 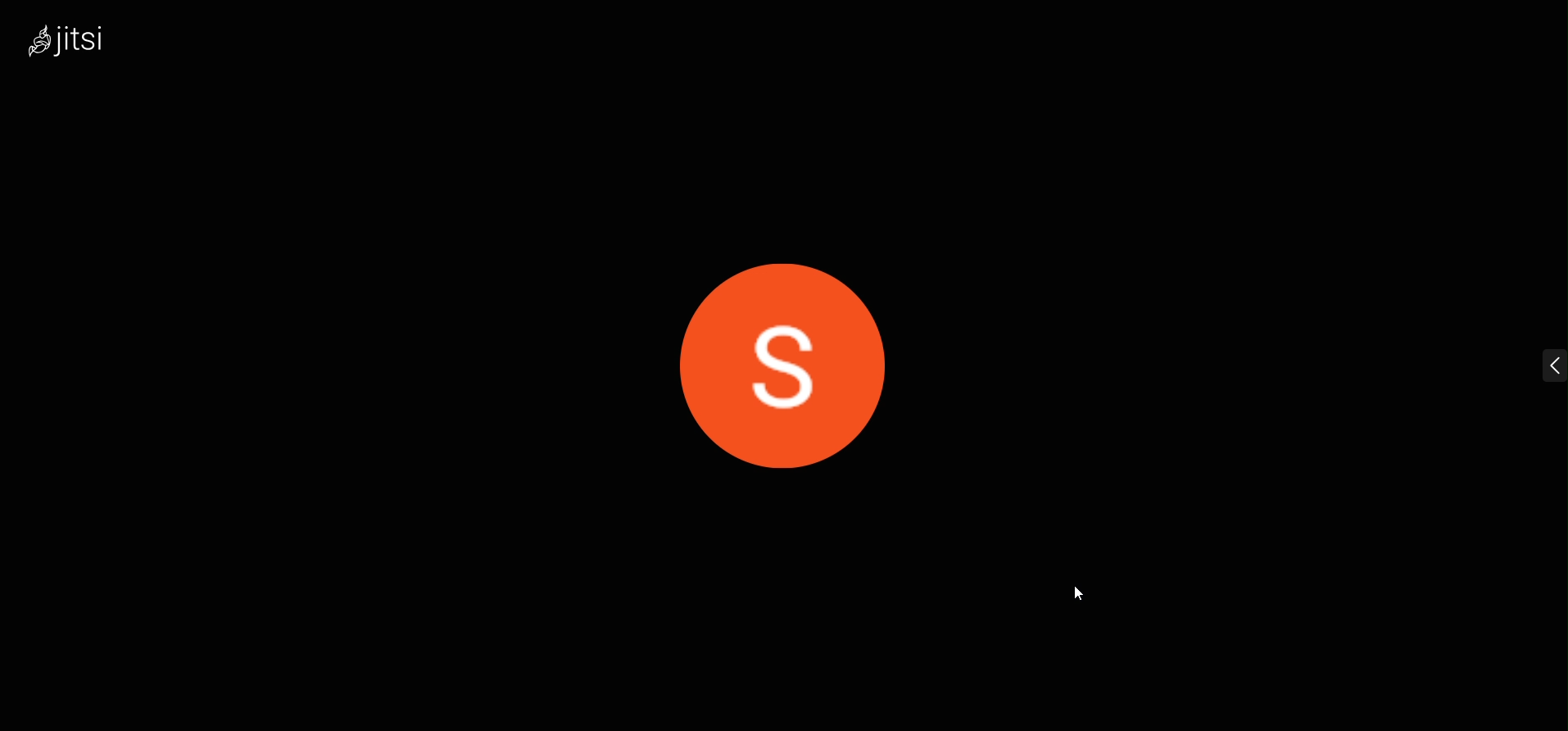 I want to click on expand, so click(x=1534, y=370).